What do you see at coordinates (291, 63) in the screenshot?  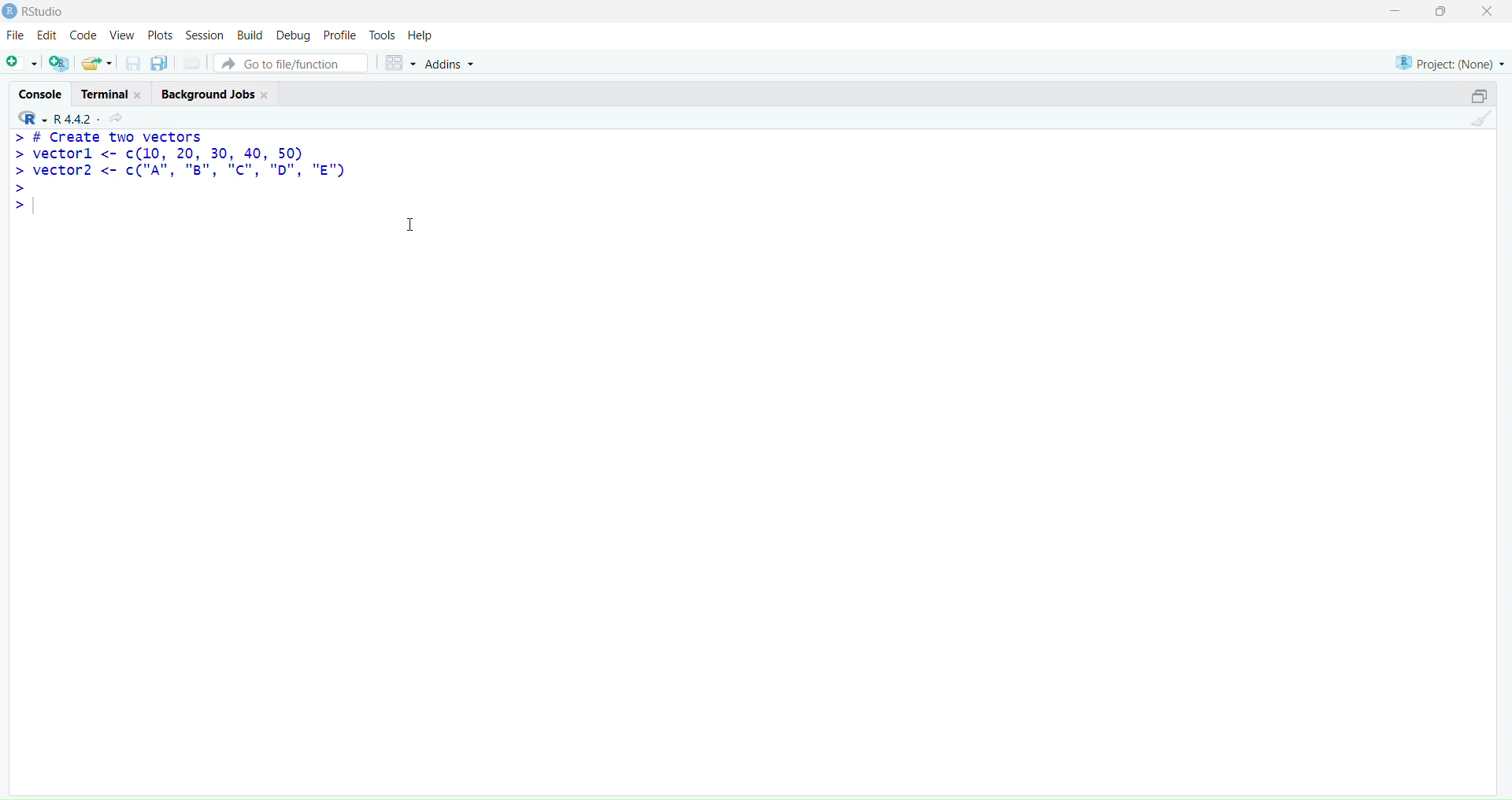 I see `Go to file/function` at bounding box center [291, 63].